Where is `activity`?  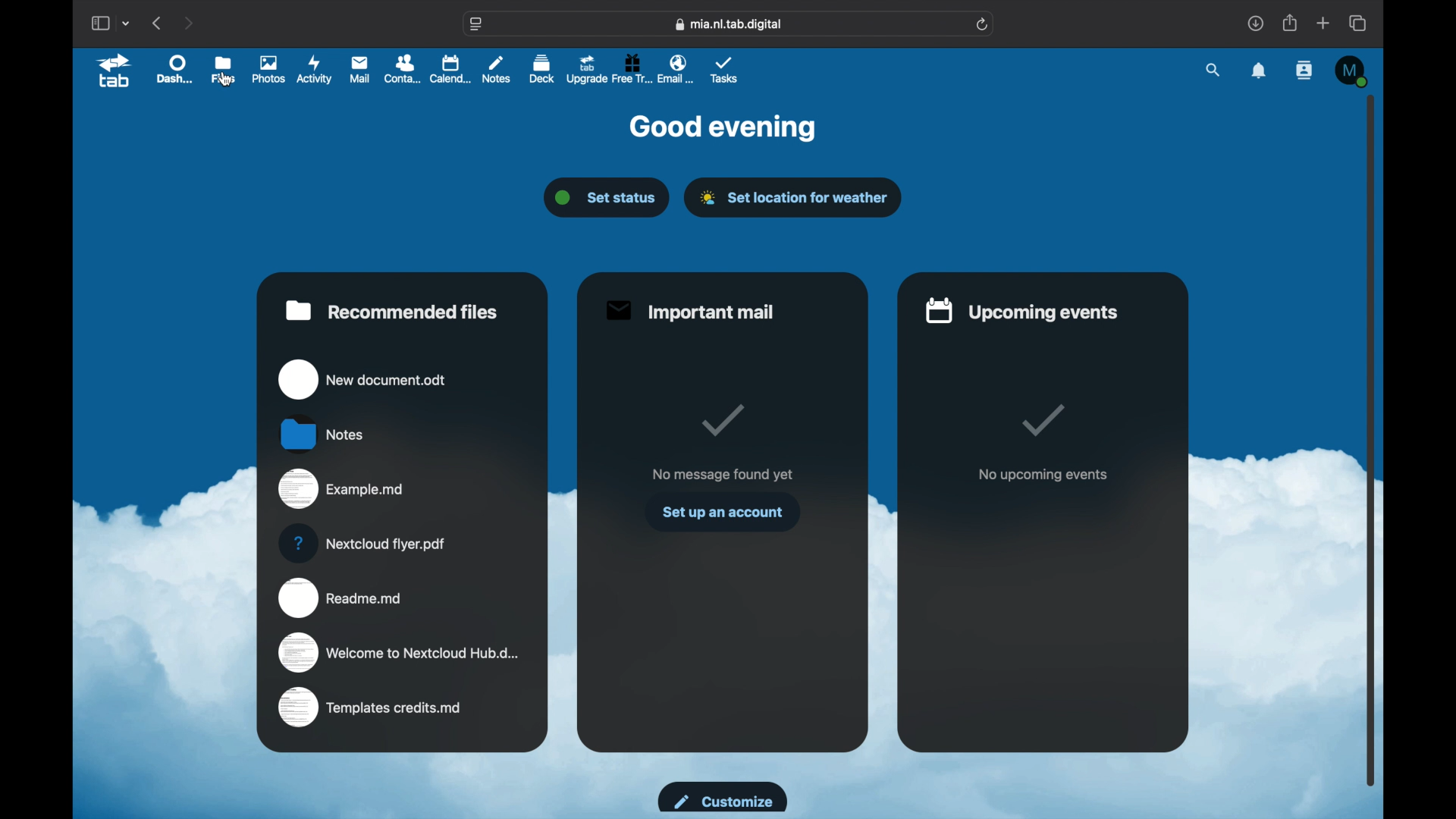 activity is located at coordinates (315, 71).